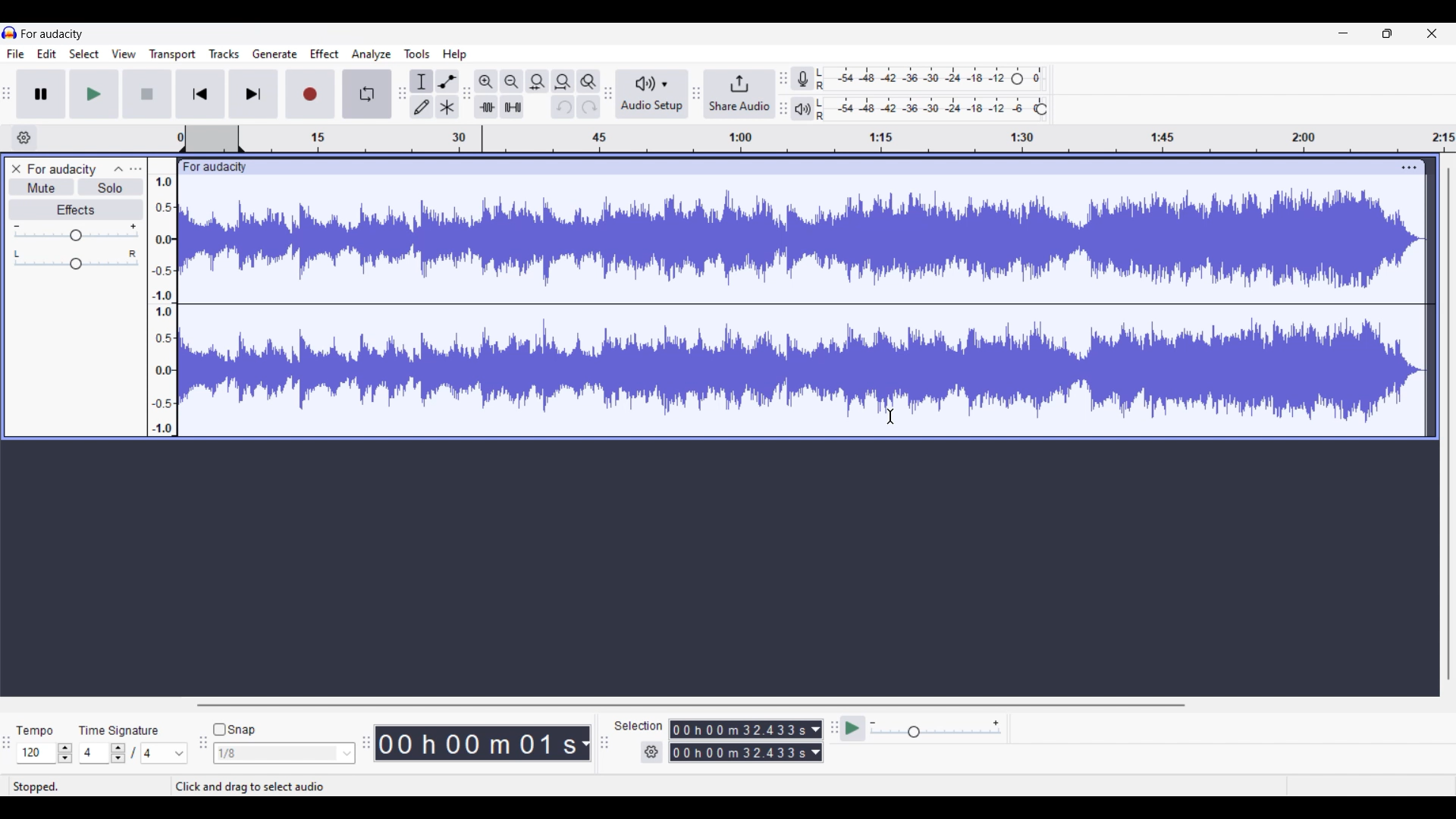 This screenshot has height=819, width=1456. What do you see at coordinates (588, 81) in the screenshot?
I see `Zoom toggle` at bounding box center [588, 81].